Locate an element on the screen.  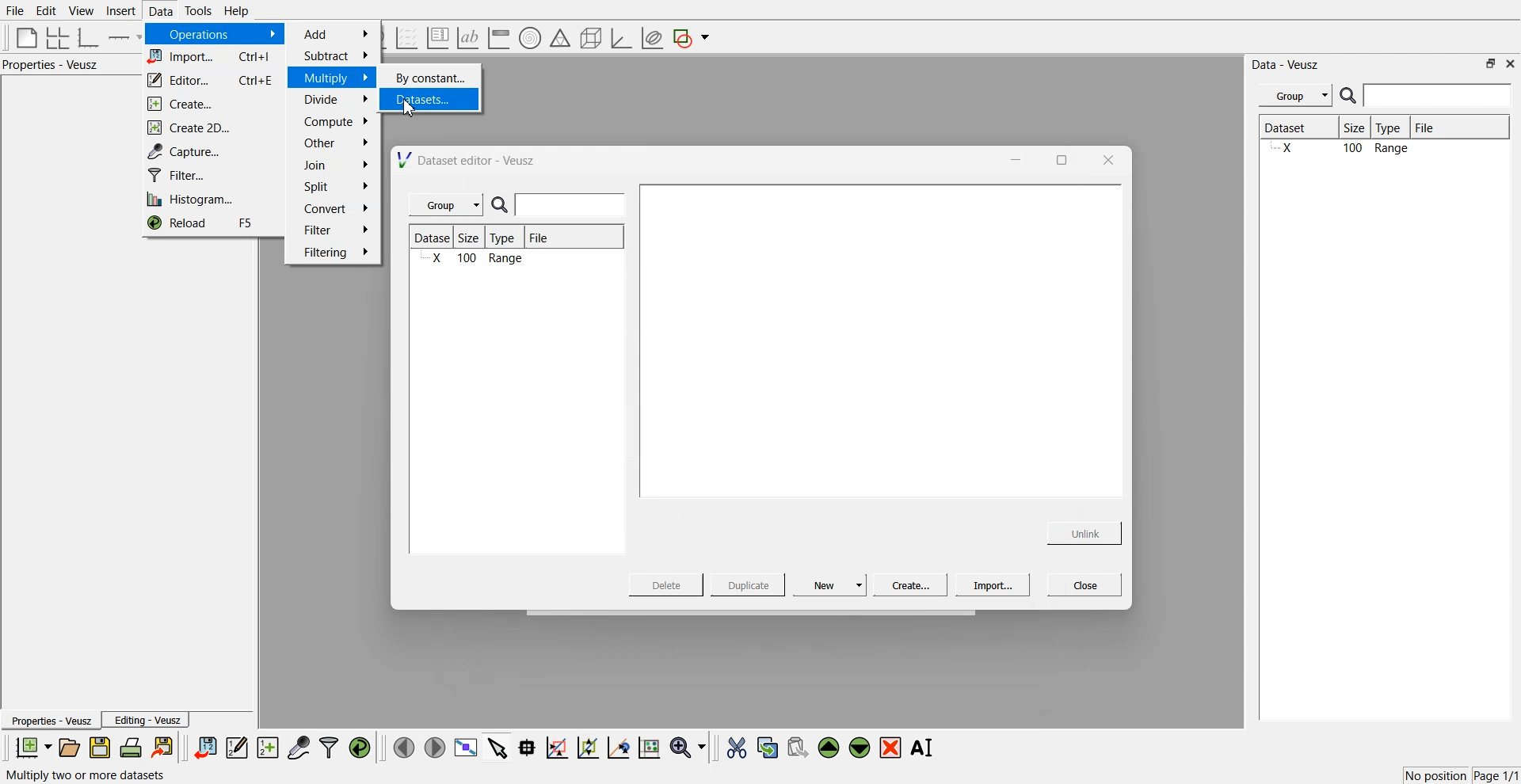
Create... is located at coordinates (208, 105).